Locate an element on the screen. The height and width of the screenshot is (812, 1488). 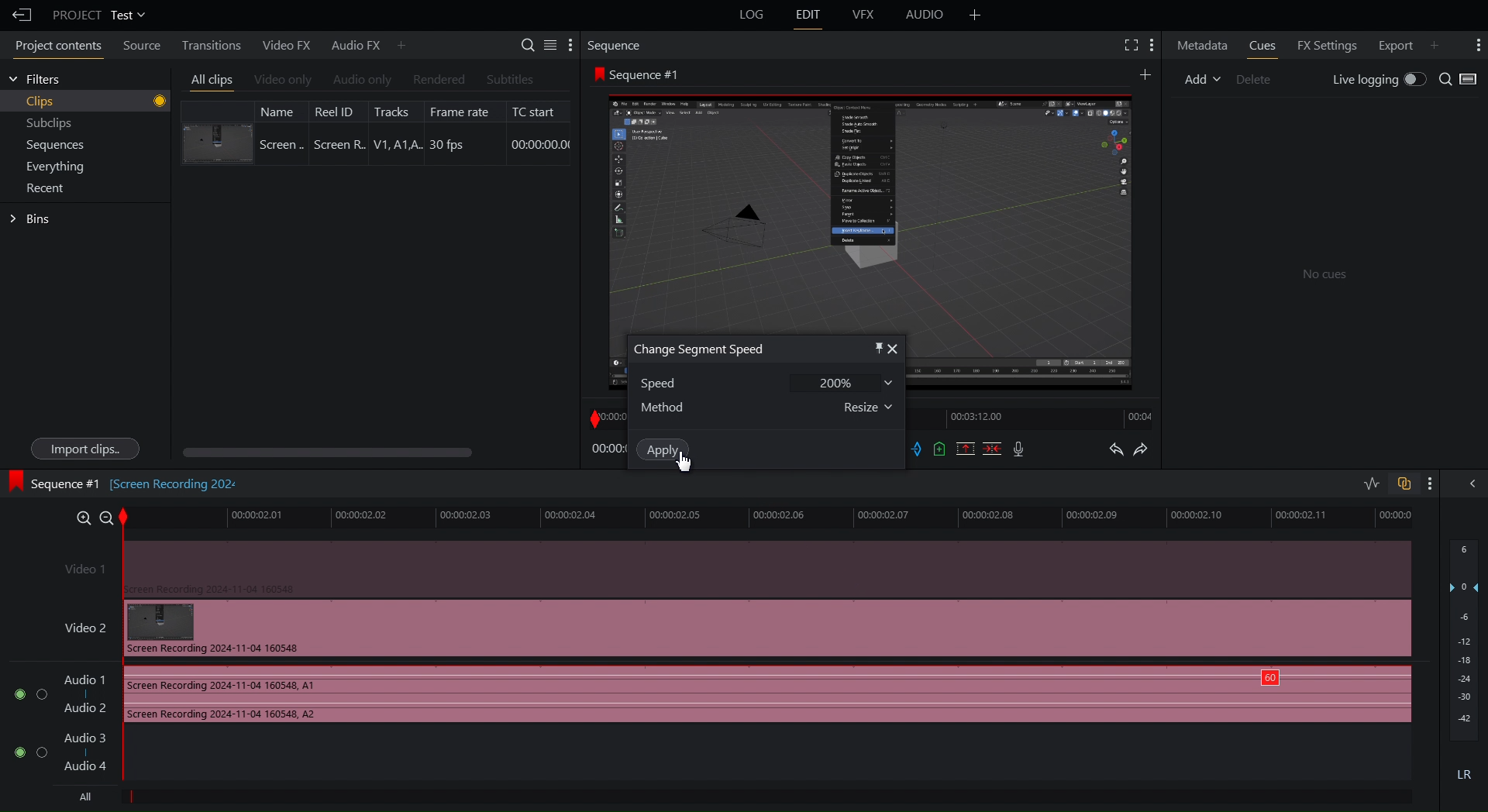
More is located at coordinates (402, 44).